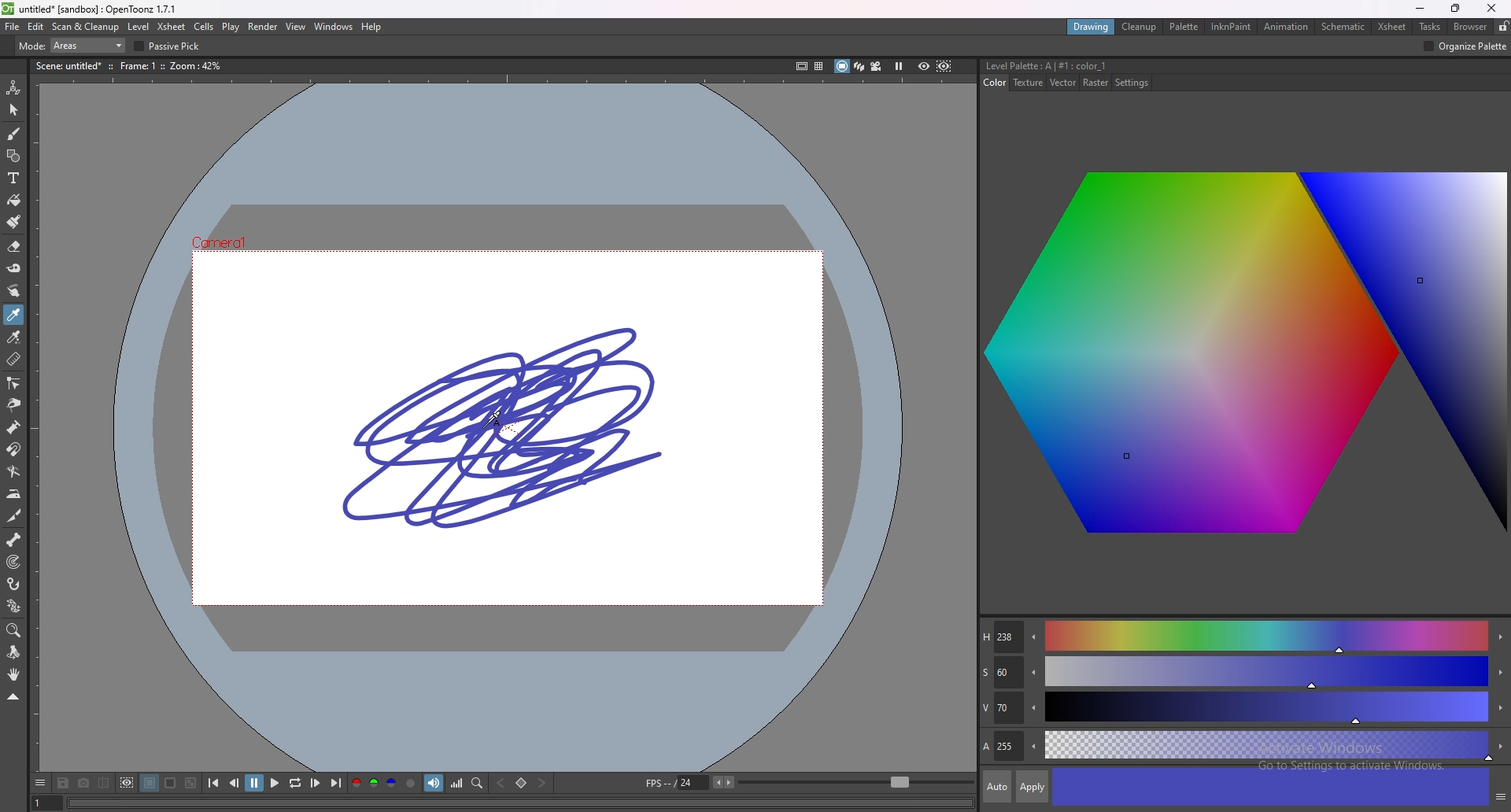 The width and height of the screenshot is (1511, 812). Describe the element at coordinates (13, 696) in the screenshot. I see `collapse toolbar` at that location.